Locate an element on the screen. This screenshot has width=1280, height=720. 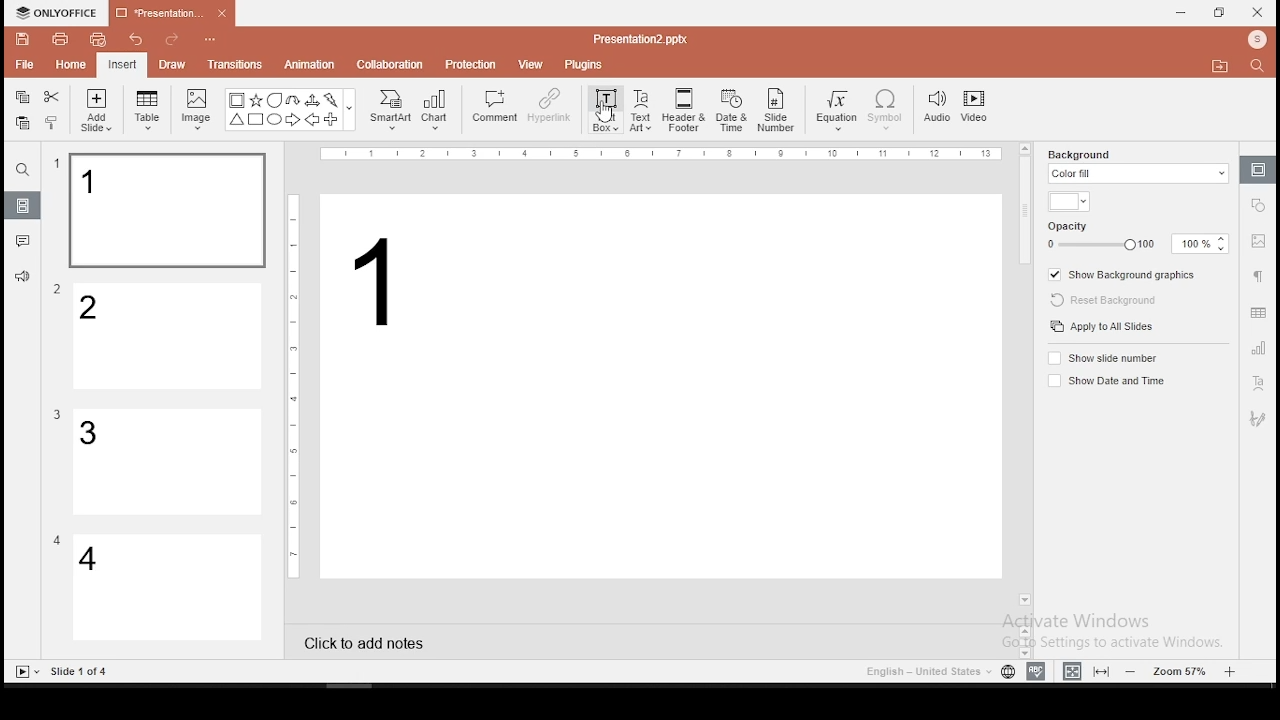
Bordered Box is located at coordinates (237, 100).